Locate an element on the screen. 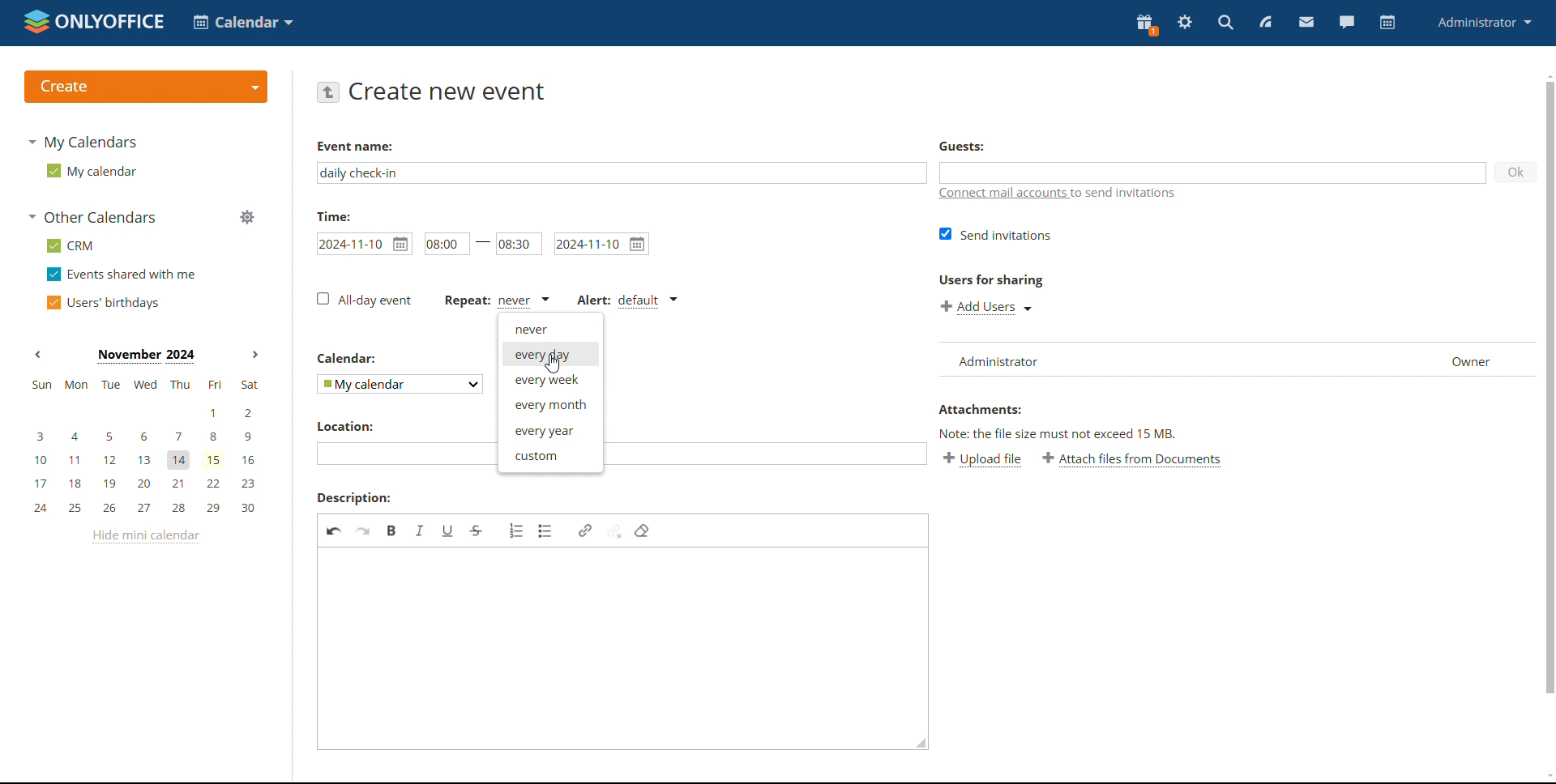 This screenshot has width=1556, height=784. current month is located at coordinates (144, 355).